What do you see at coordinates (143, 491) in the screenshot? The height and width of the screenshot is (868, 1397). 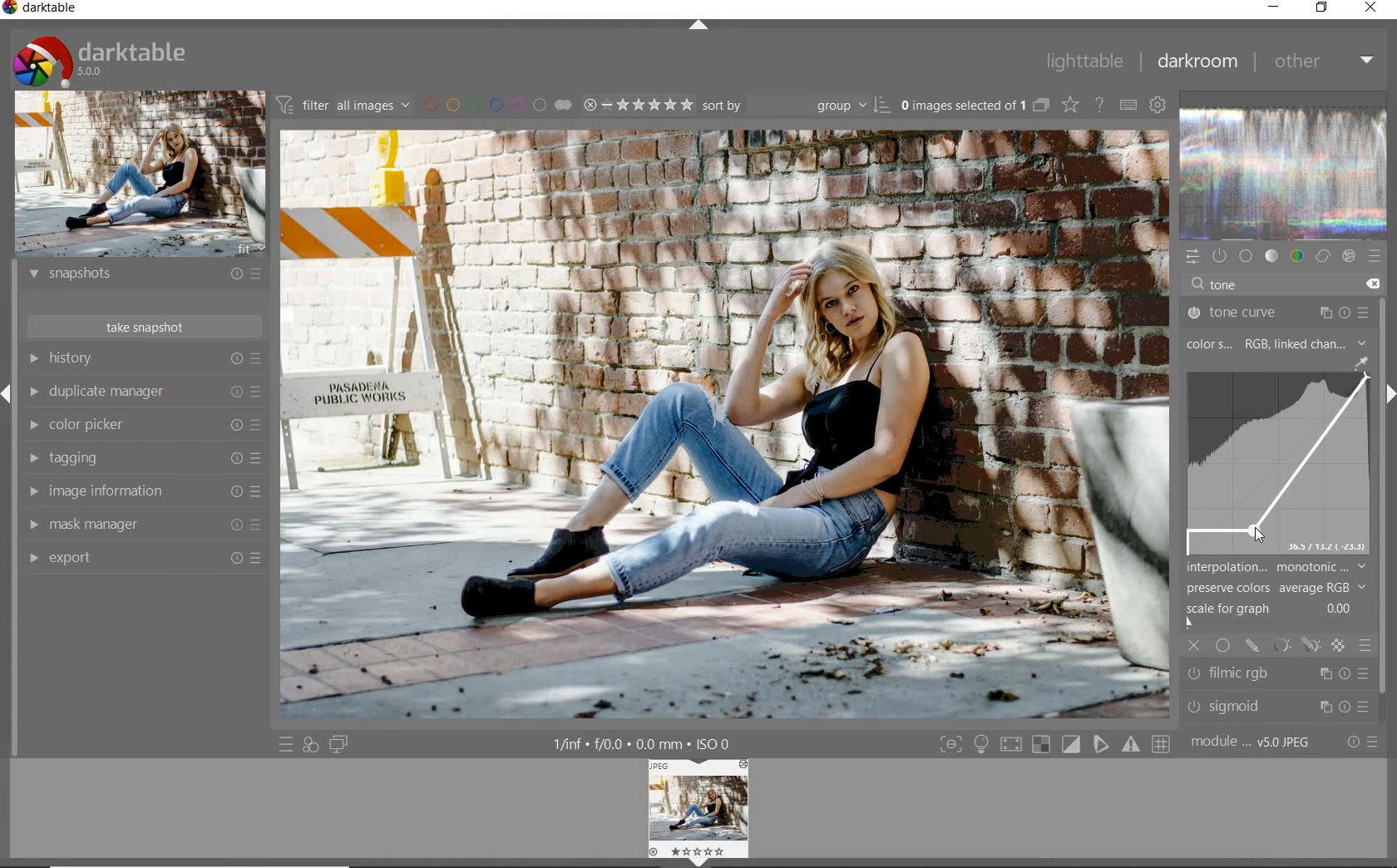 I see `image information` at bounding box center [143, 491].